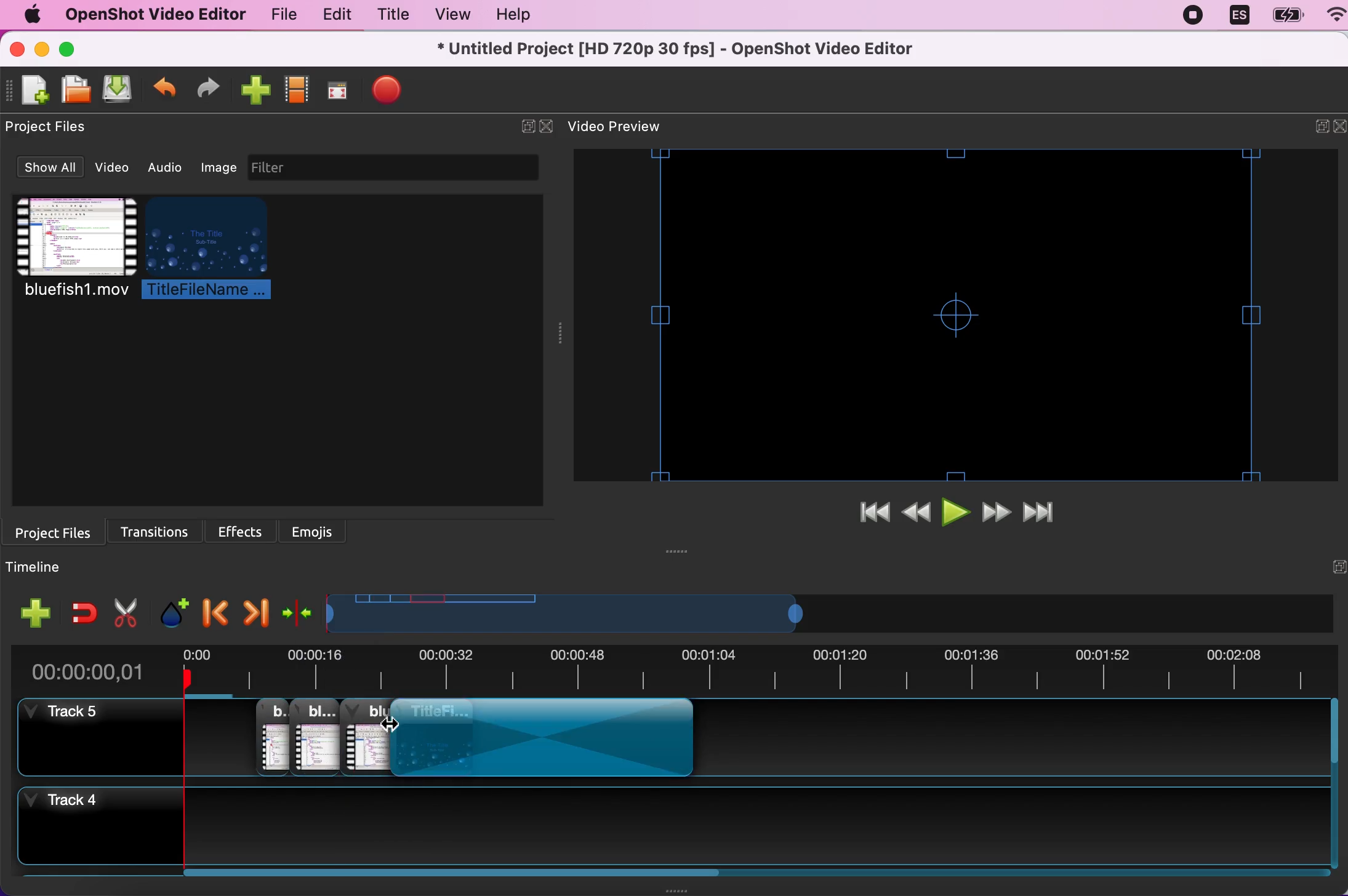 This screenshot has width=1348, height=896. I want to click on expand/hide, so click(524, 127).